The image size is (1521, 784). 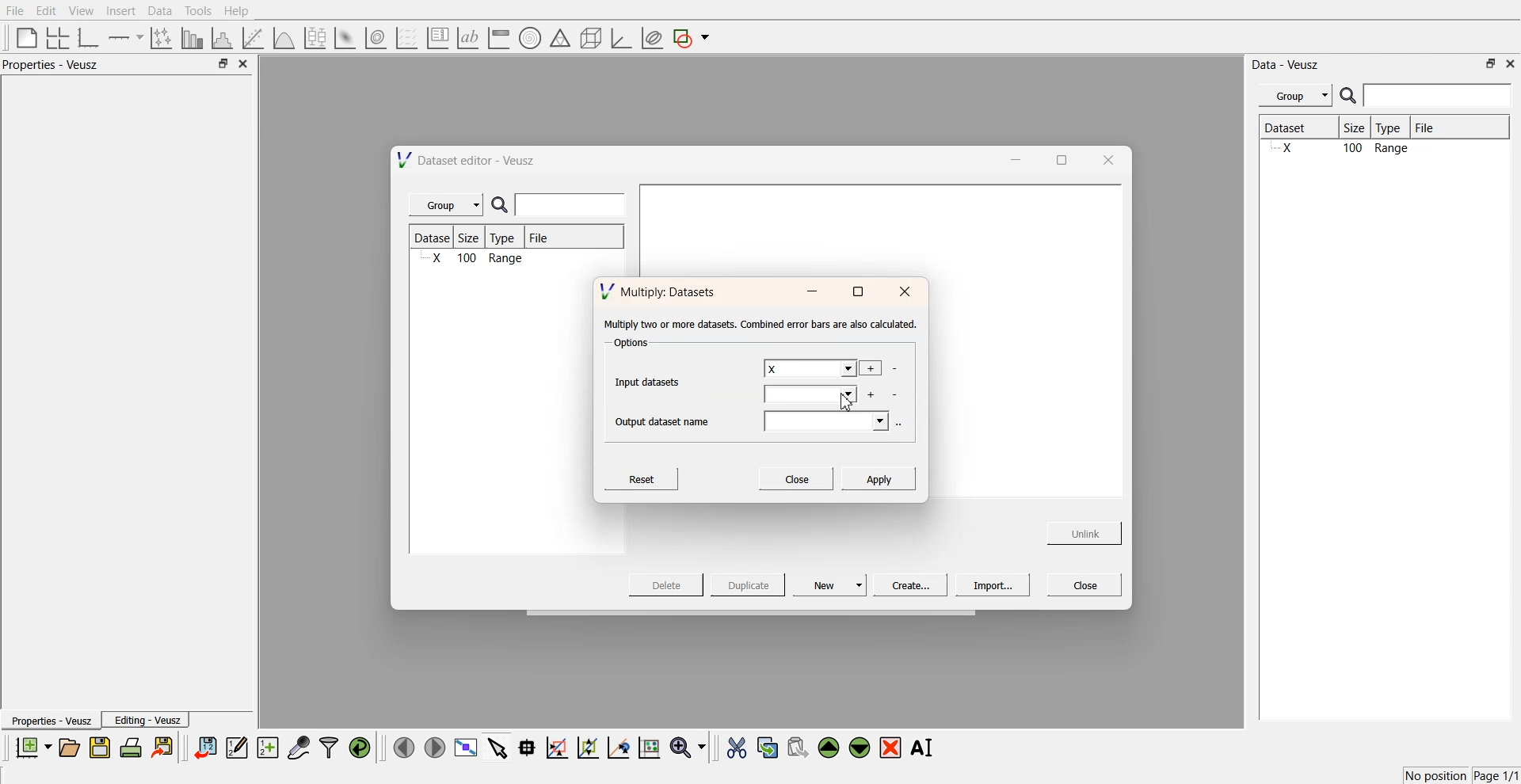 I want to click on Size, so click(x=474, y=238).